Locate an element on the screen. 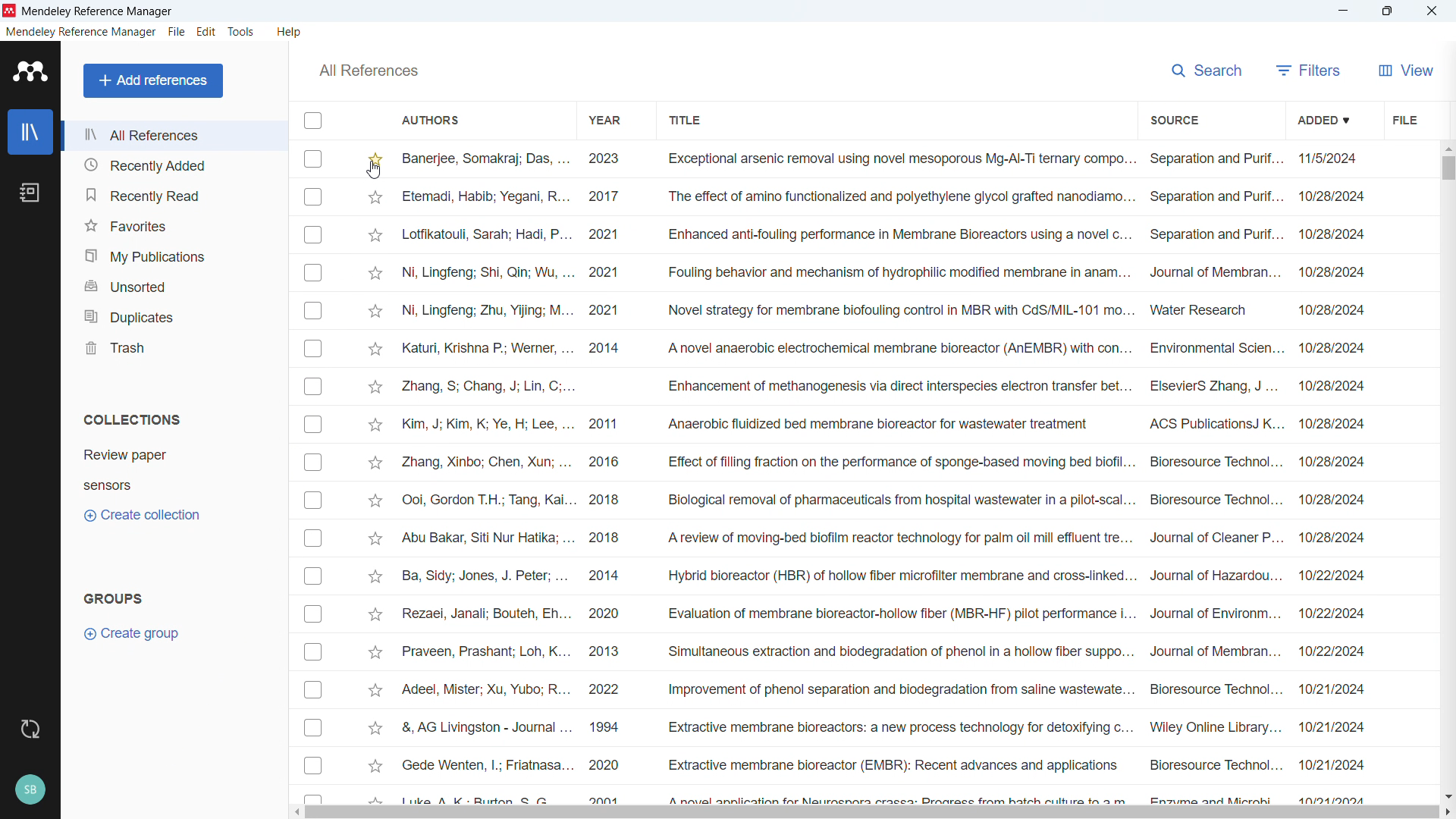 The image size is (1456, 819). Unsorted  is located at coordinates (174, 283).